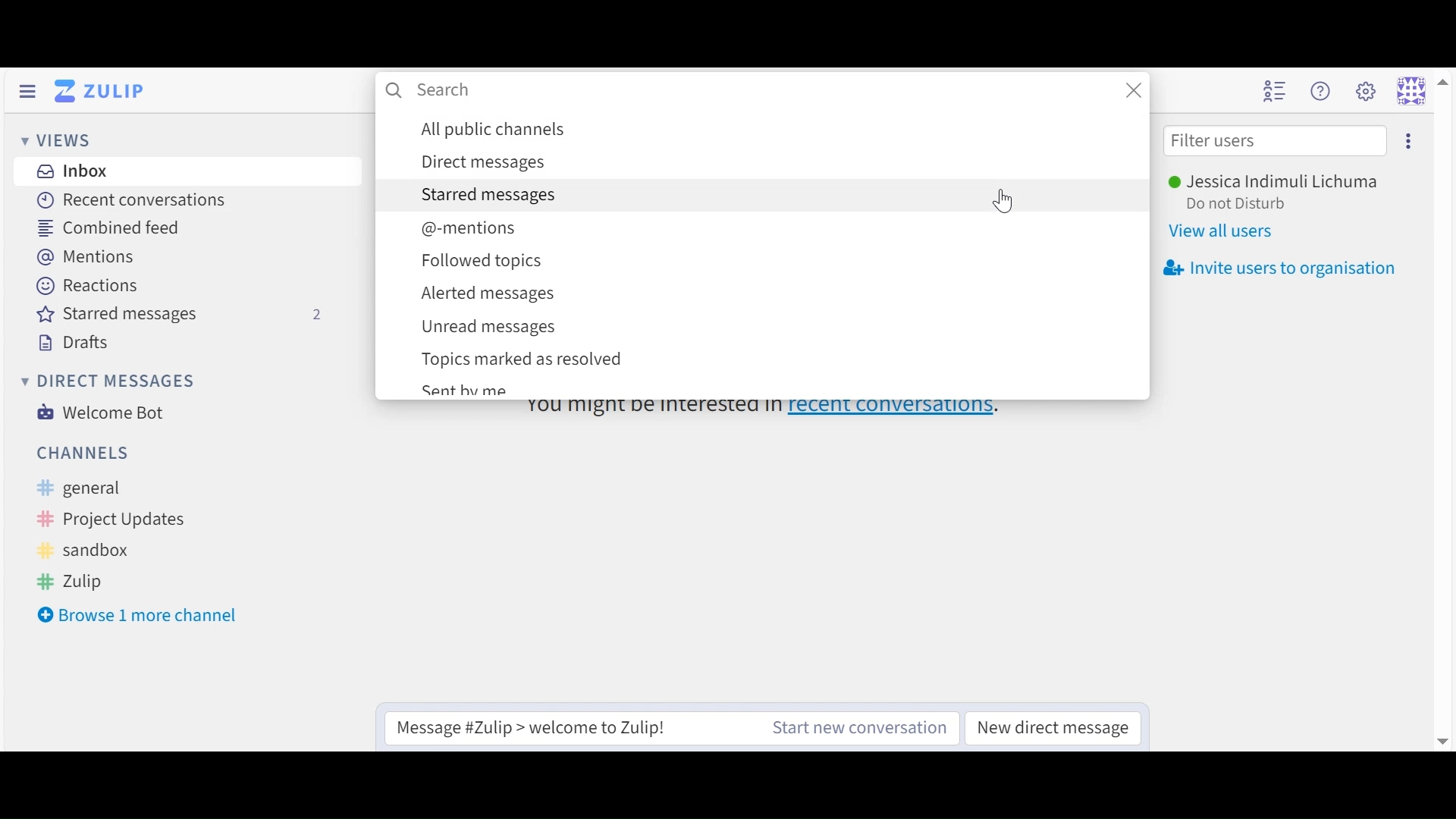  I want to click on Cursor, so click(1008, 203).